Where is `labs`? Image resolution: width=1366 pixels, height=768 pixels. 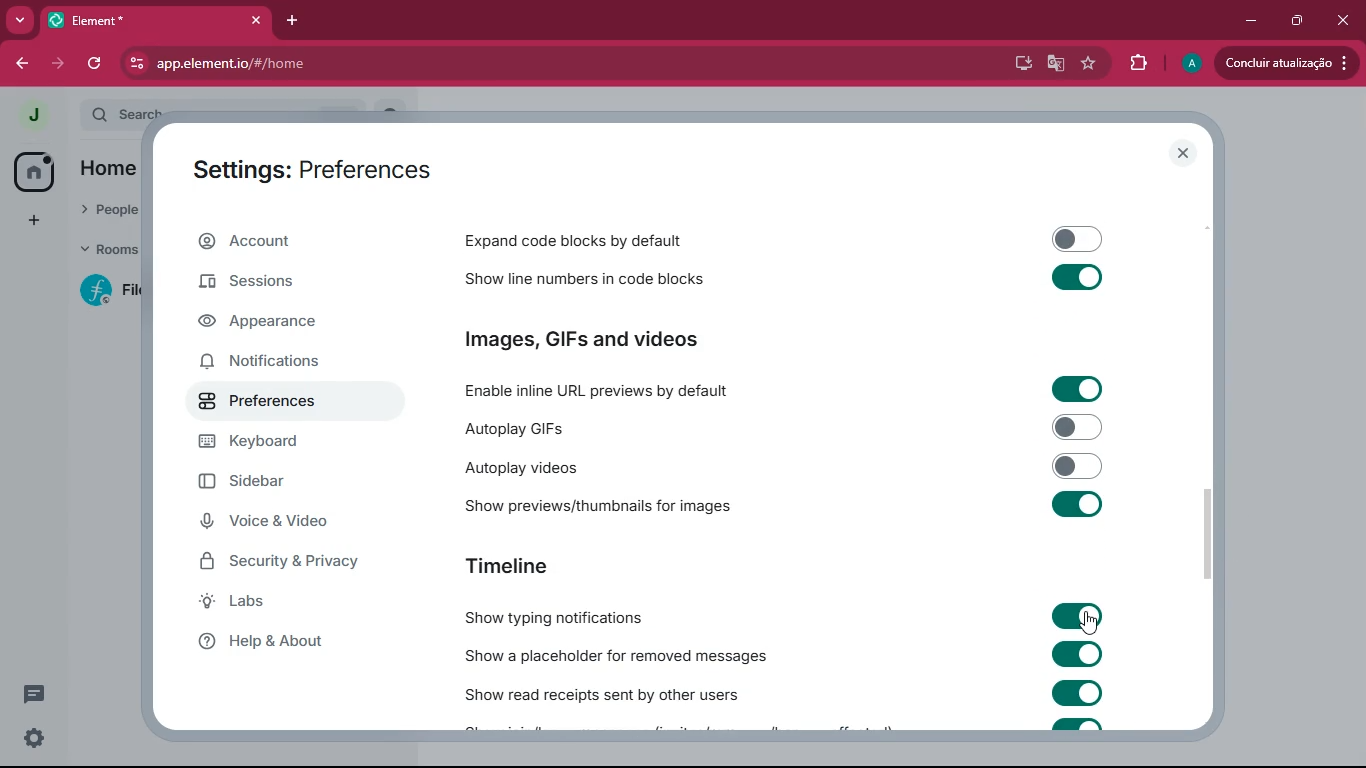 labs is located at coordinates (270, 603).